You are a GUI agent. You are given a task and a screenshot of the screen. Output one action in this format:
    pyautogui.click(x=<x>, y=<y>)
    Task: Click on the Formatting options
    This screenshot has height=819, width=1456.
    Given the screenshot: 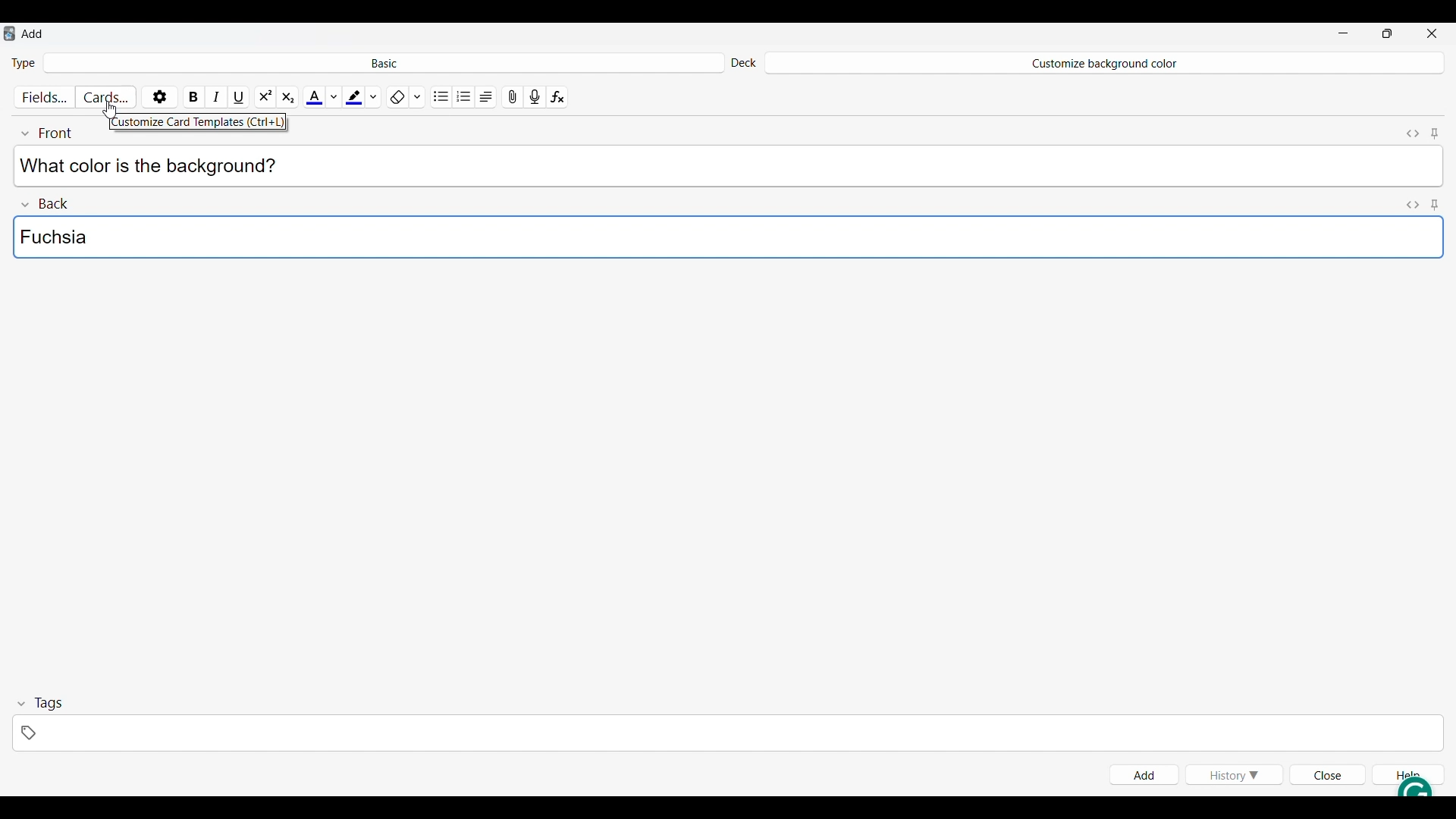 What is the action you would take?
    pyautogui.click(x=417, y=94)
    